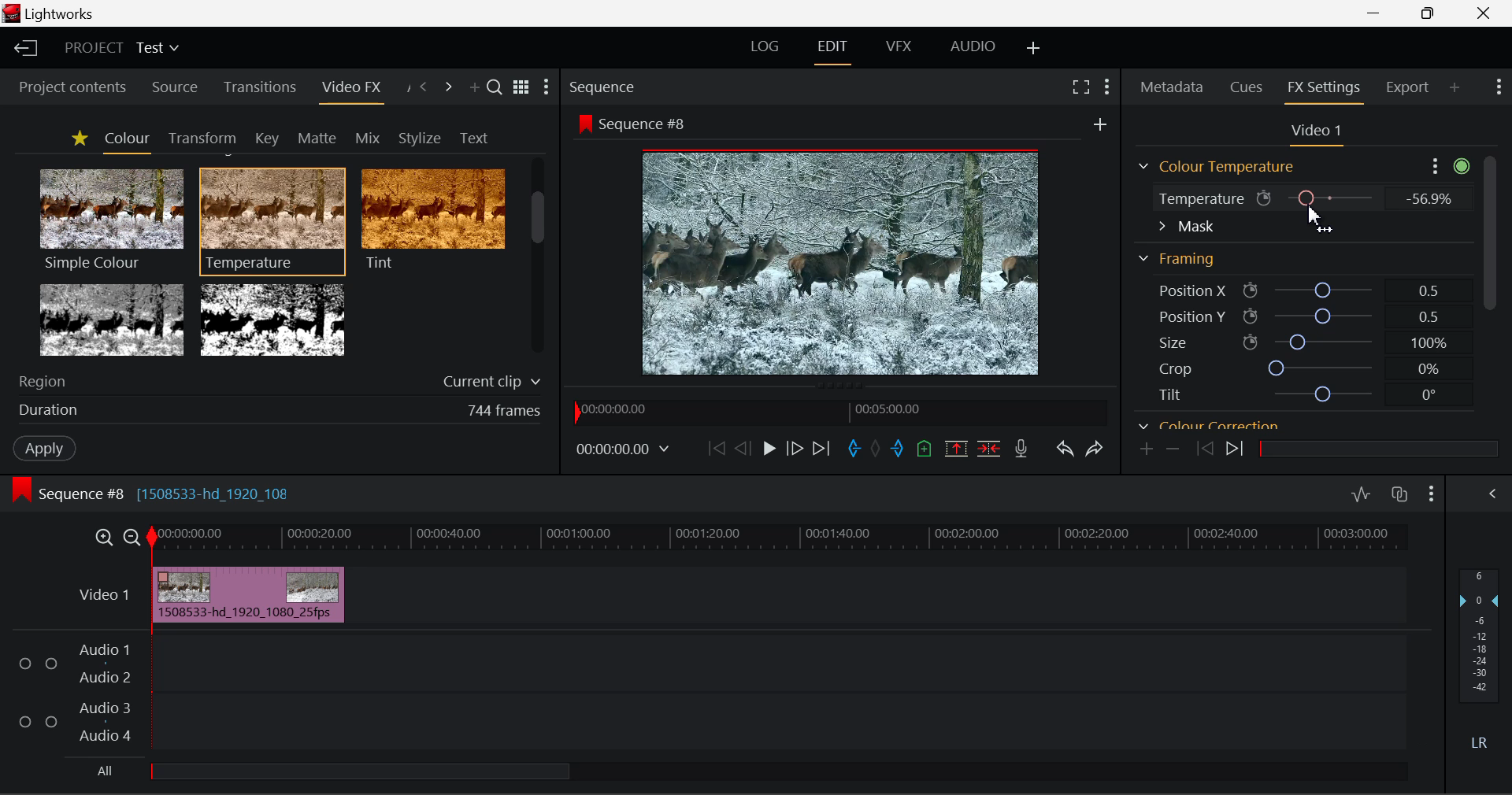  I want to click on icon, so click(584, 124).